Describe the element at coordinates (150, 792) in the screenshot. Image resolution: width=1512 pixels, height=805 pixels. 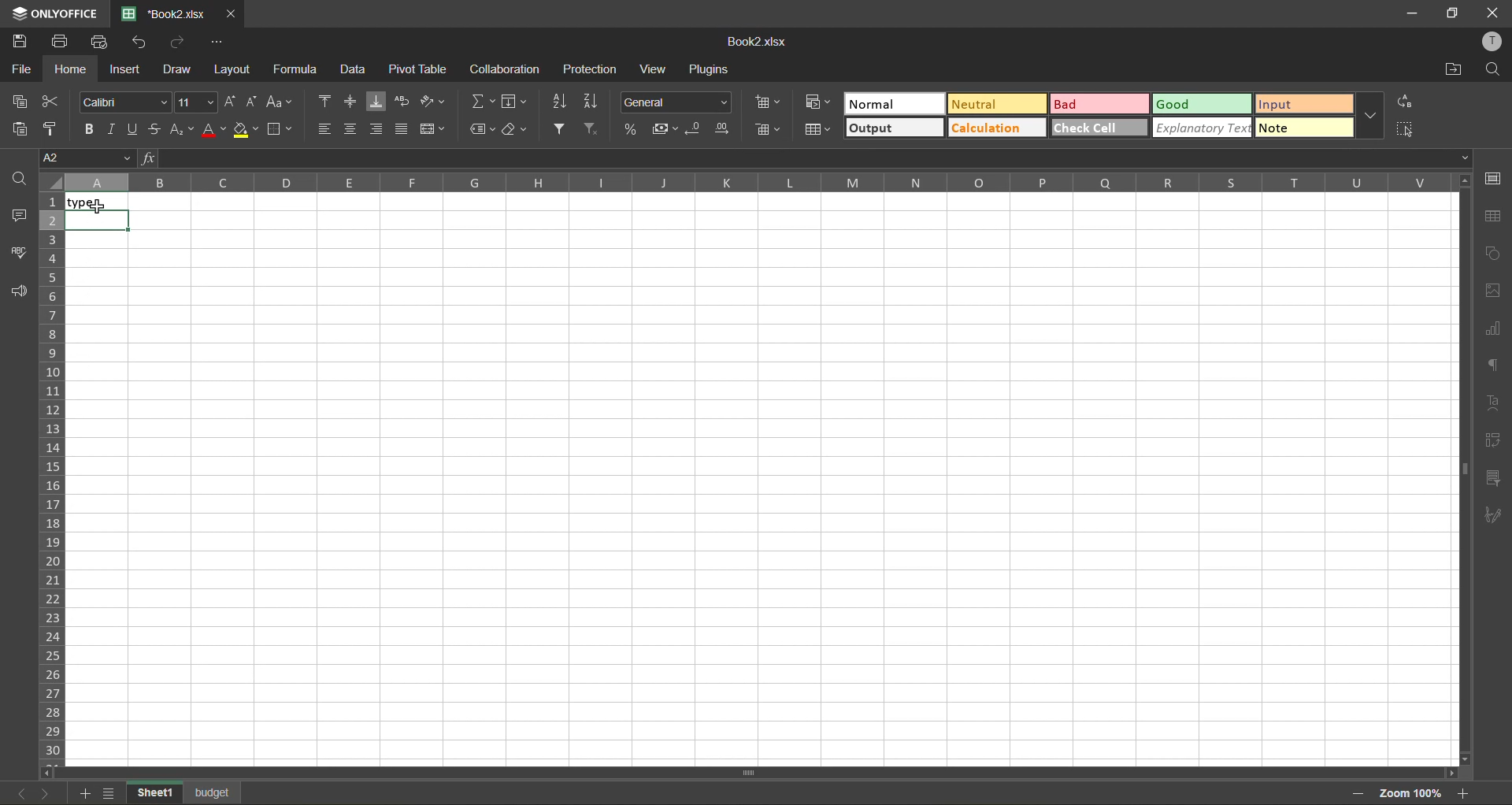
I see `sheet names` at that location.